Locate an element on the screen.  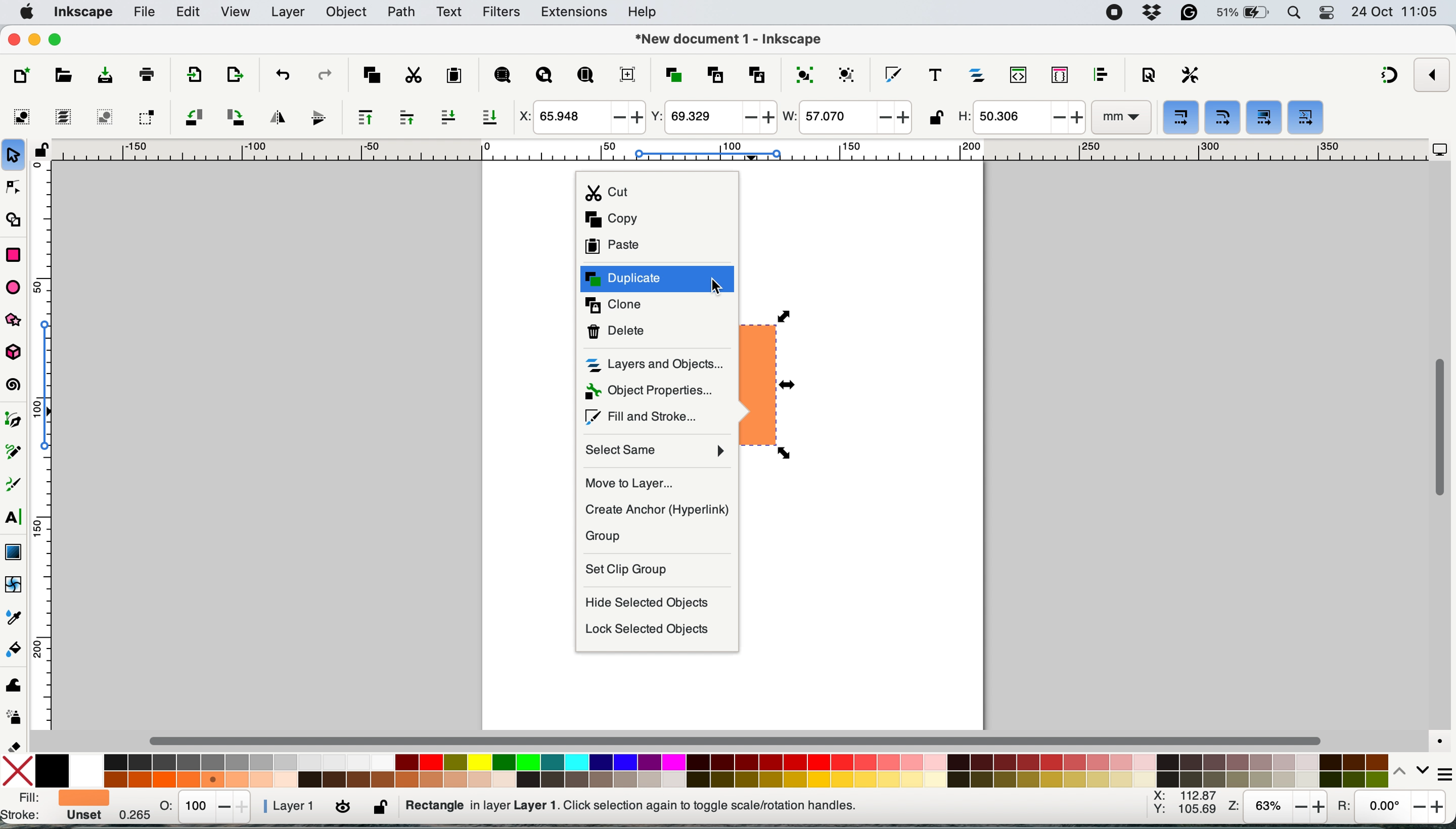
vertical scroll bar is located at coordinates (1439, 428).